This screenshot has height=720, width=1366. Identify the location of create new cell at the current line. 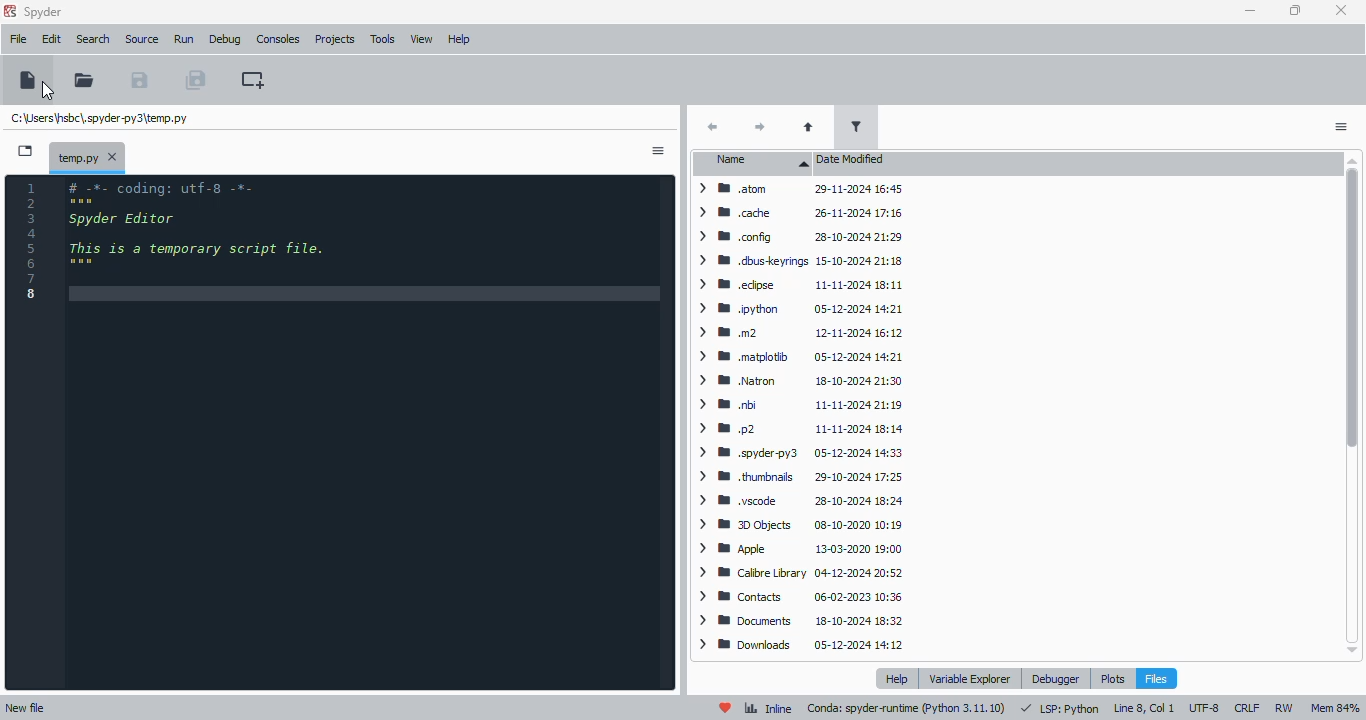
(253, 80).